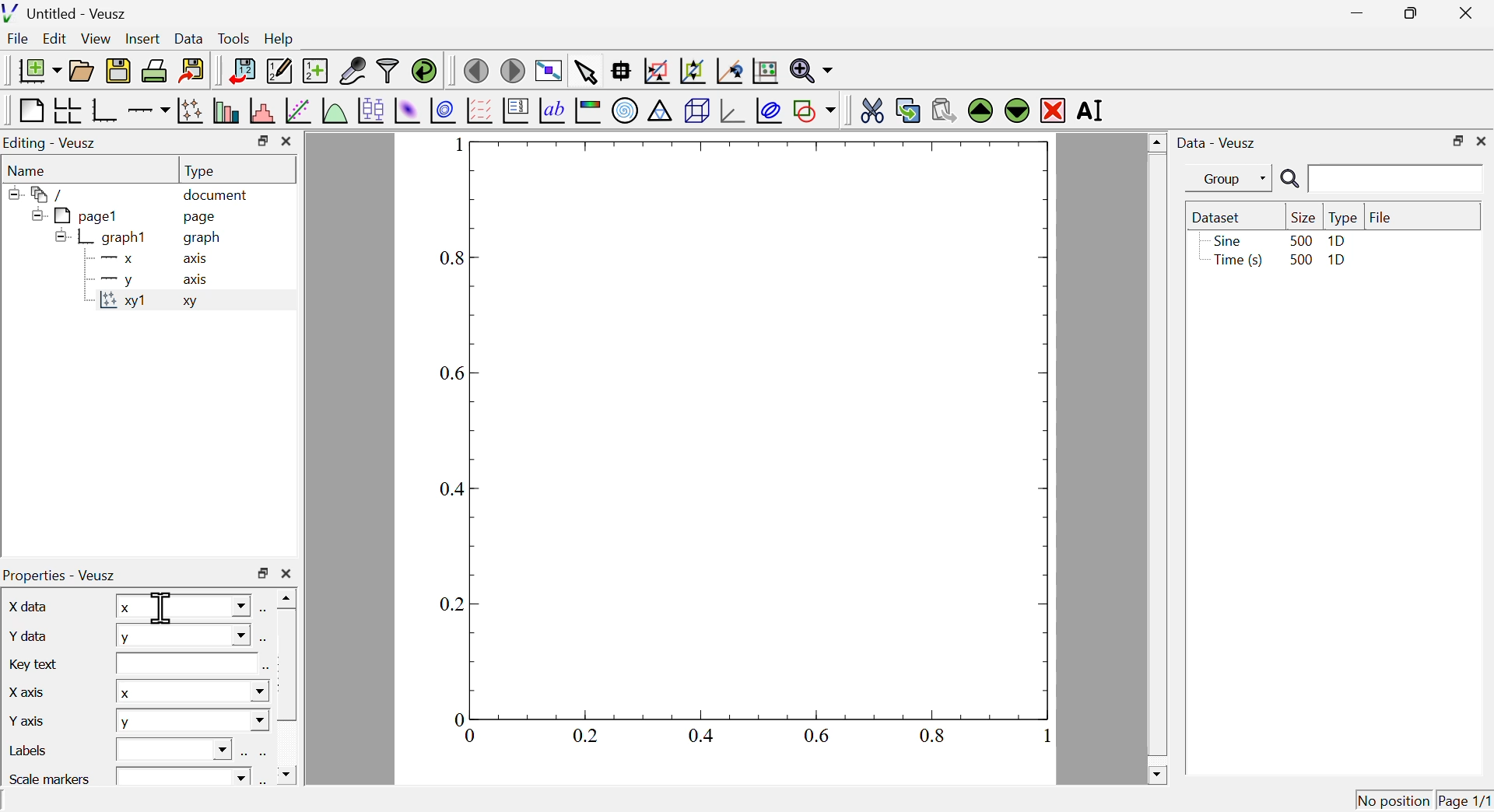 The height and width of the screenshot is (812, 1494). Describe the element at coordinates (184, 664) in the screenshot. I see `text box` at that location.